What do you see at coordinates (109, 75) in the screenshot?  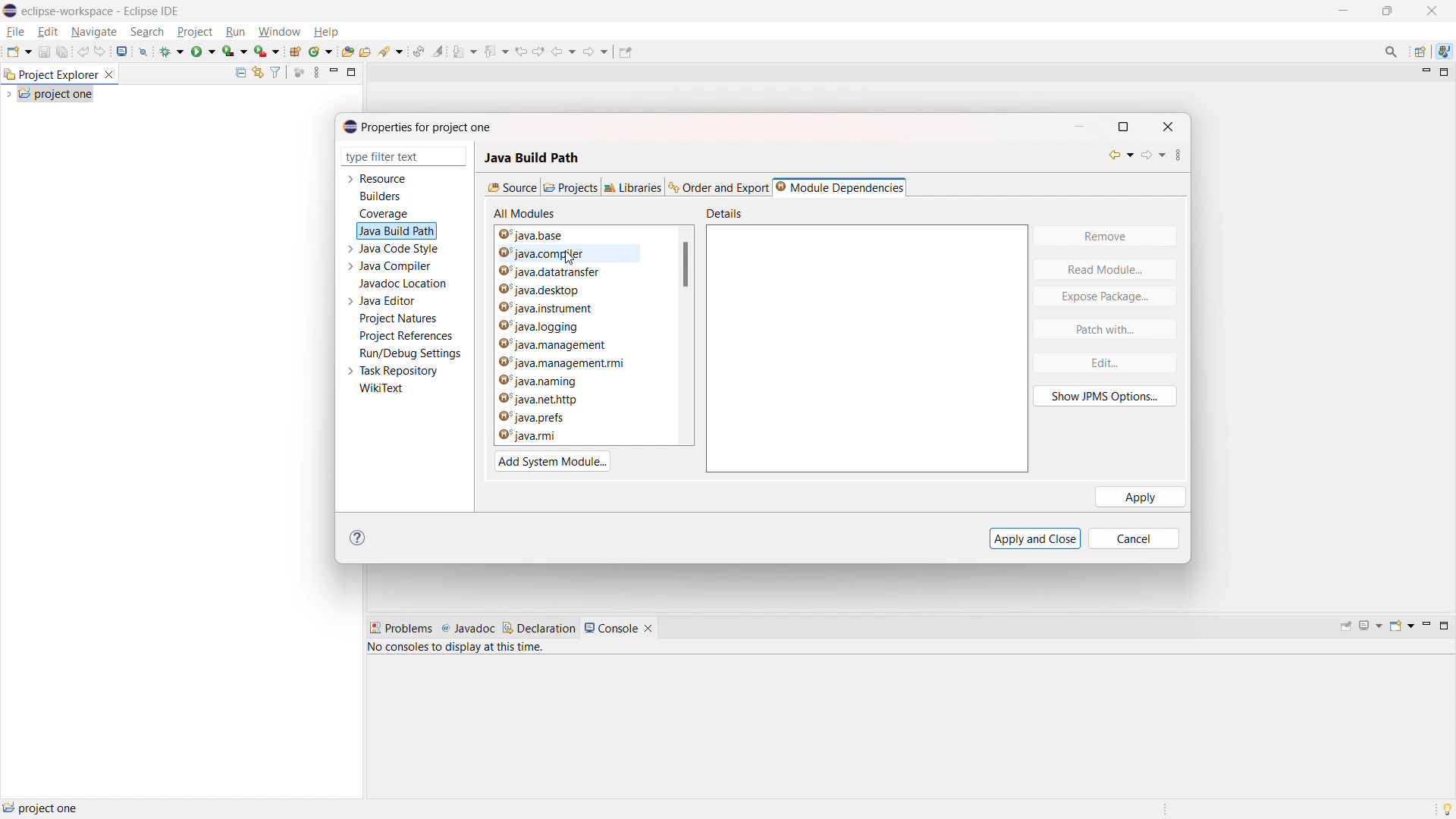 I see `close project explorer` at bounding box center [109, 75].